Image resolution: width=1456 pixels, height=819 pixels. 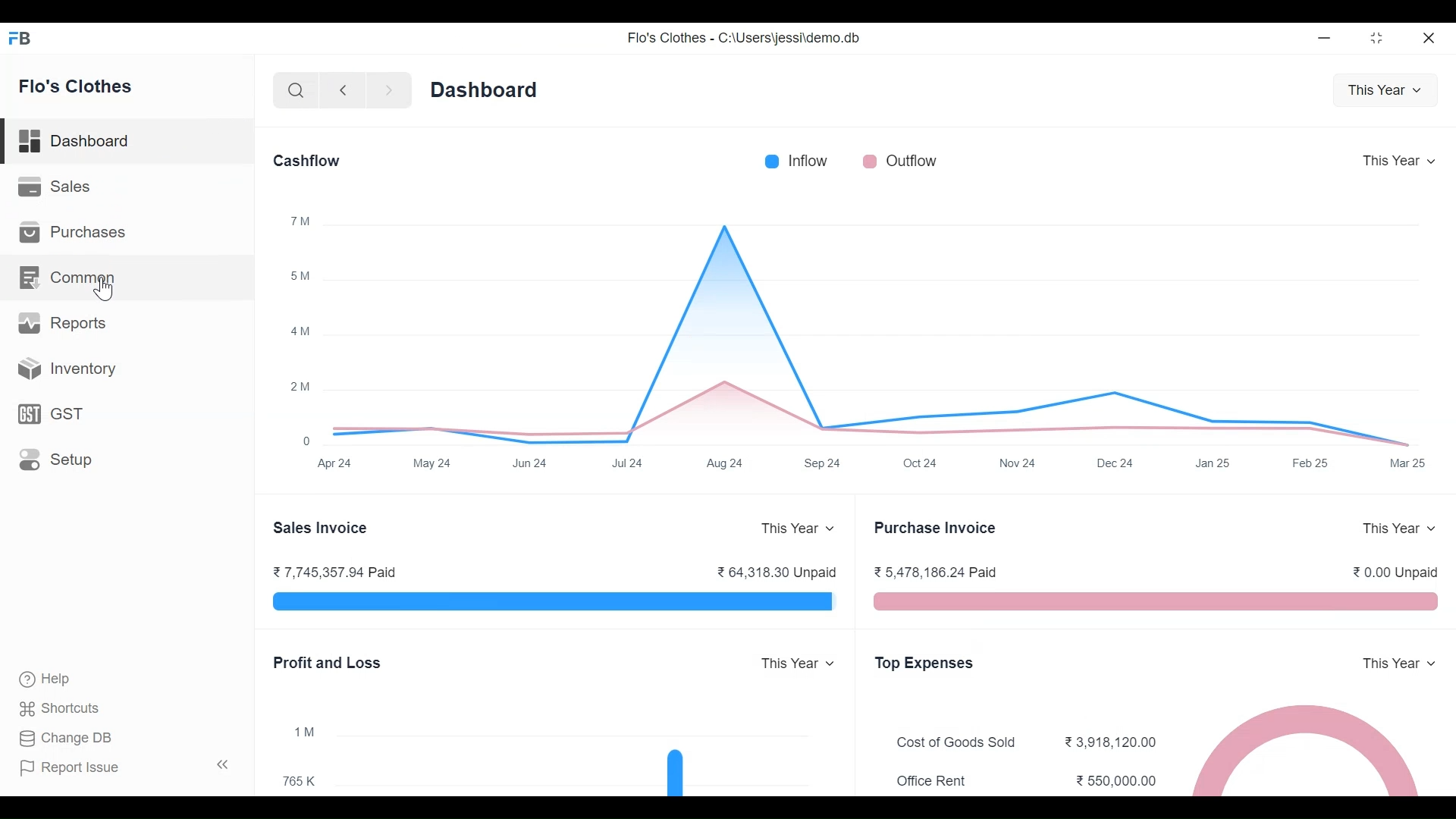 What do you see at coordinates (590, 752) in the screenshot?
I see `The chart shows the profit (or loss) per month for a year` at bounding box center [590, 752].